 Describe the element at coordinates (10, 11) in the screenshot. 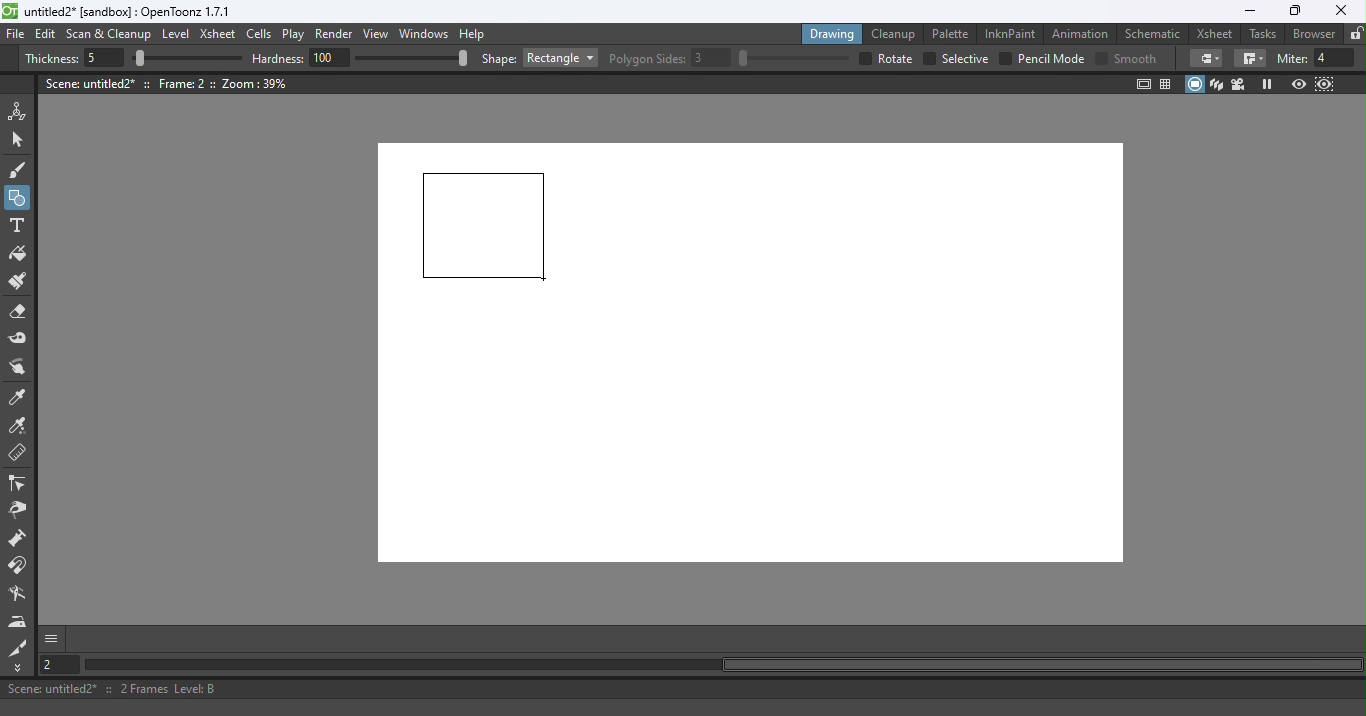

I see `logo` at that location.